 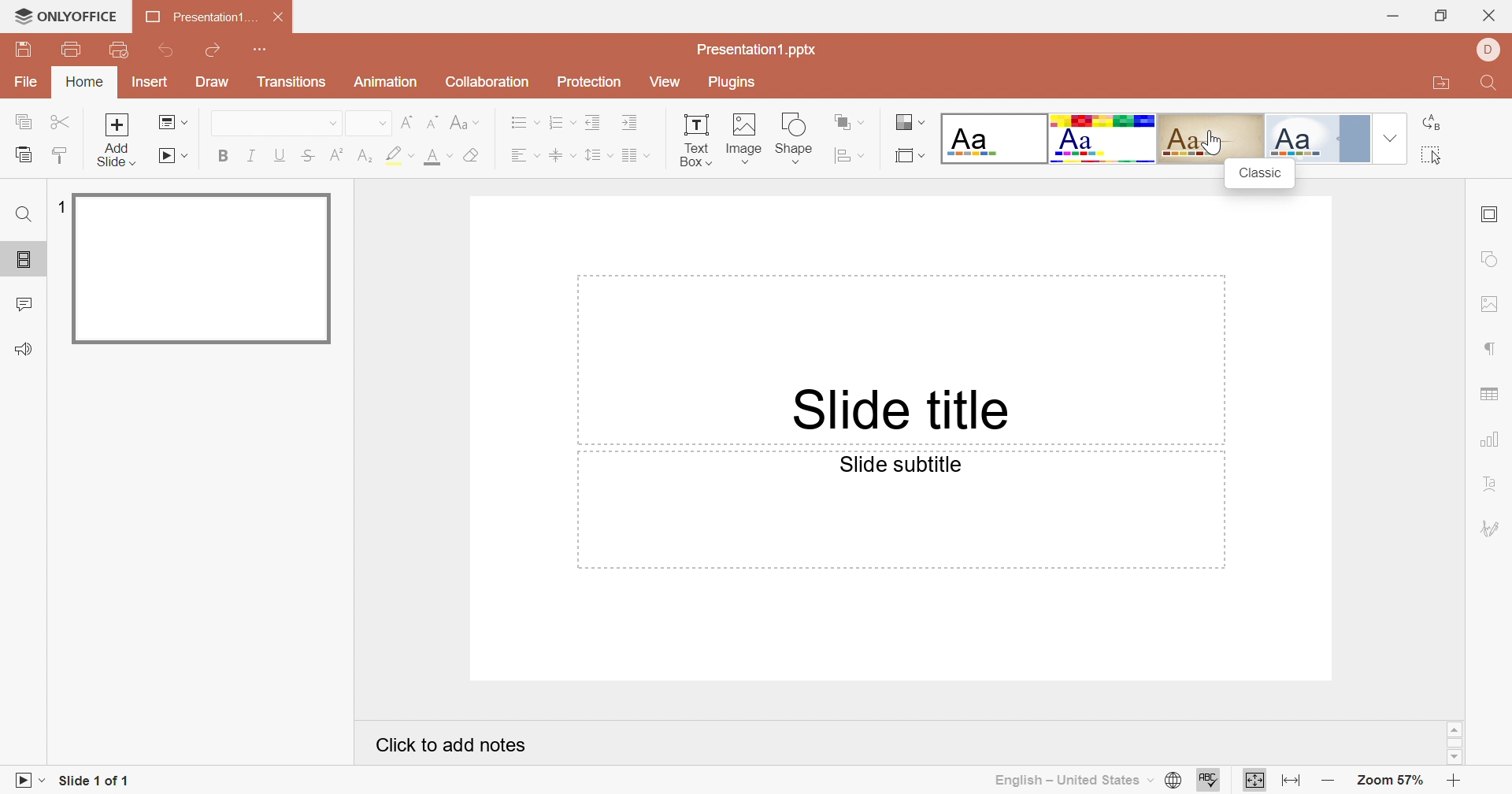 What do you see at coordinates (64, 153) in the screenshot?
I see `Copy Style` at bounding box center [64, 153].